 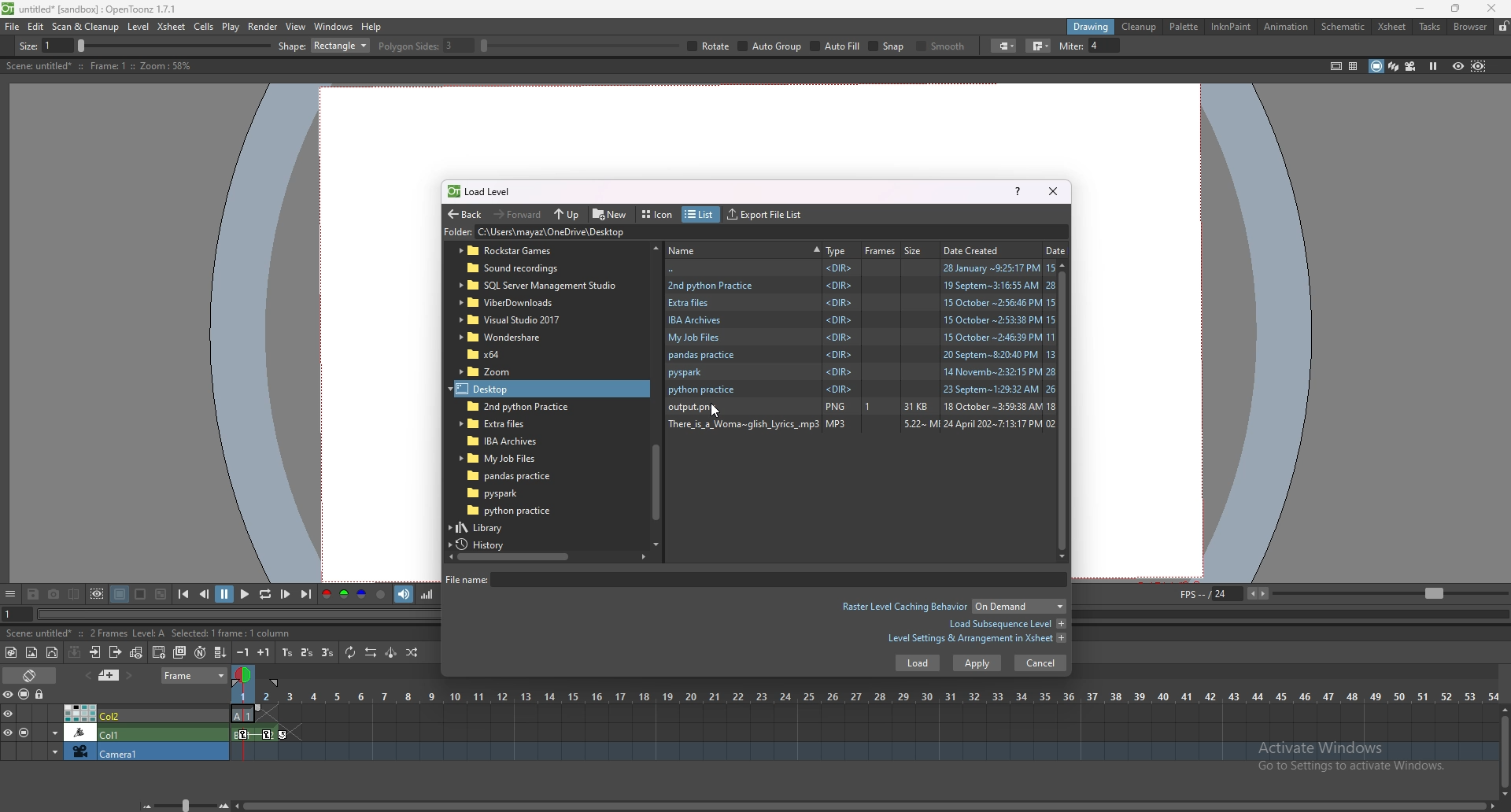 I want to click on folder, so click(x=508, y=493).